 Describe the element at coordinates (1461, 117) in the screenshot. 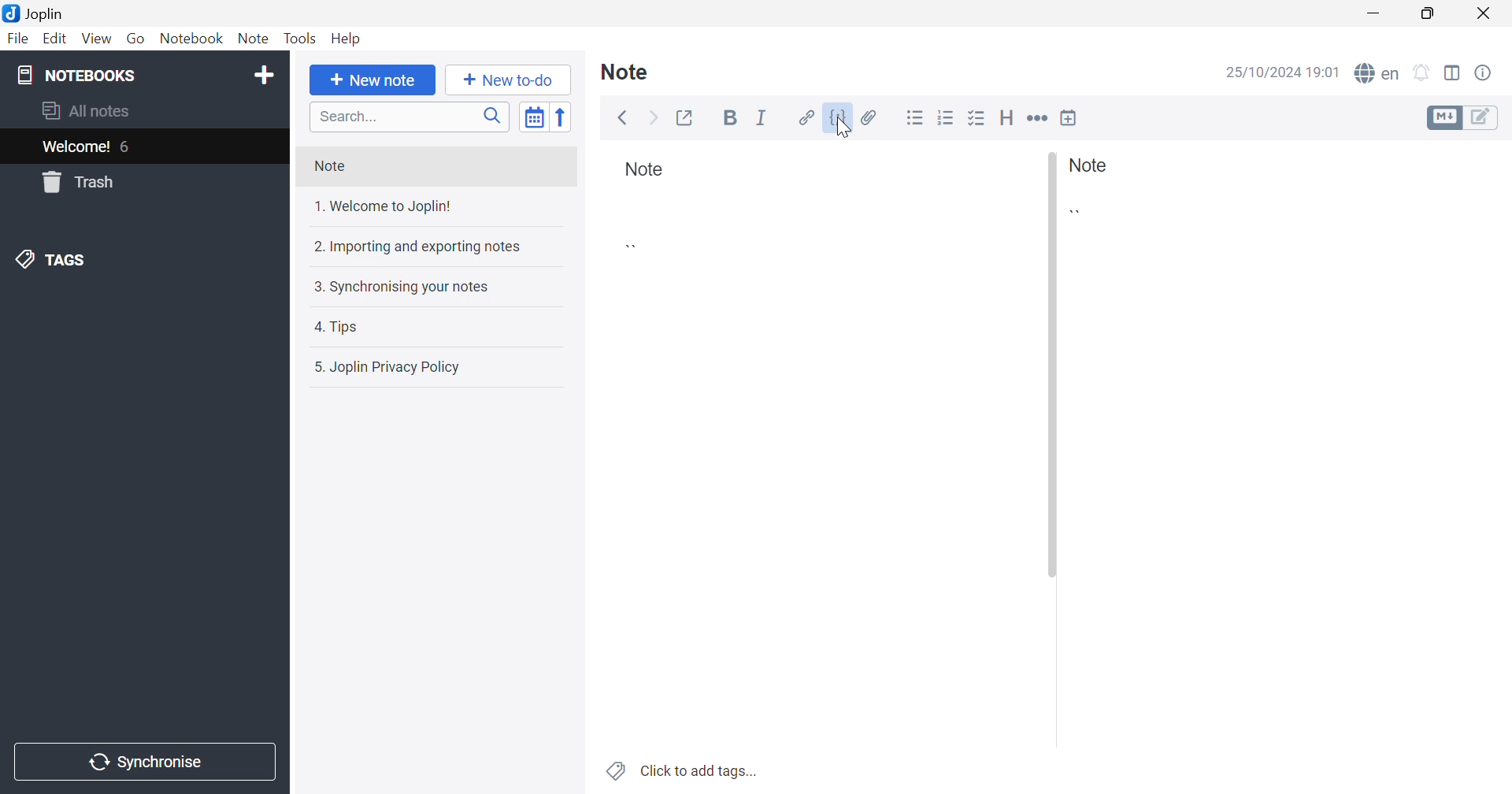

I see `Toggle editors` at that location.